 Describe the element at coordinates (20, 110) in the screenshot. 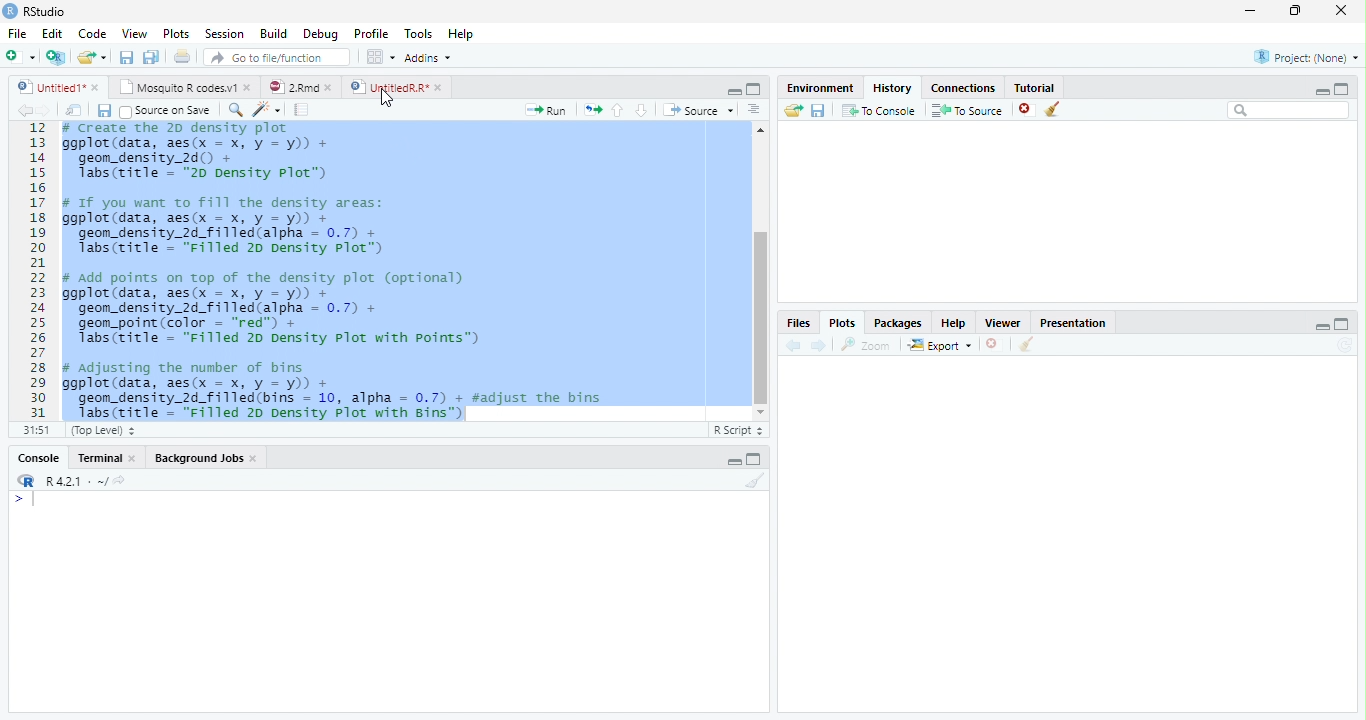

I see `back` at that location.